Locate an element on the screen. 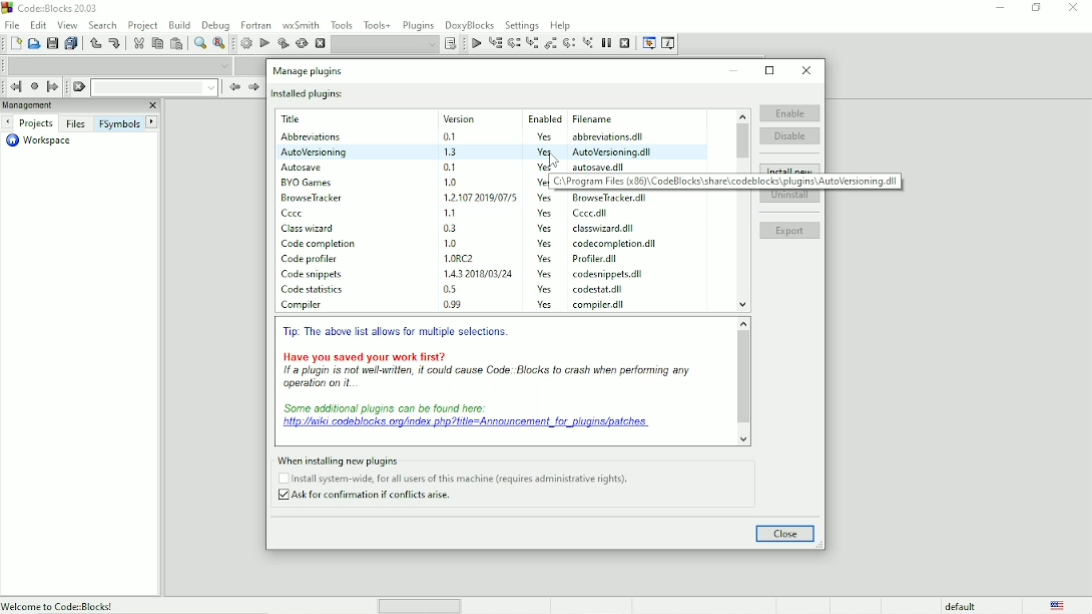 The image size is (1092, 614). Minimize is located at coordinates (735, 70).